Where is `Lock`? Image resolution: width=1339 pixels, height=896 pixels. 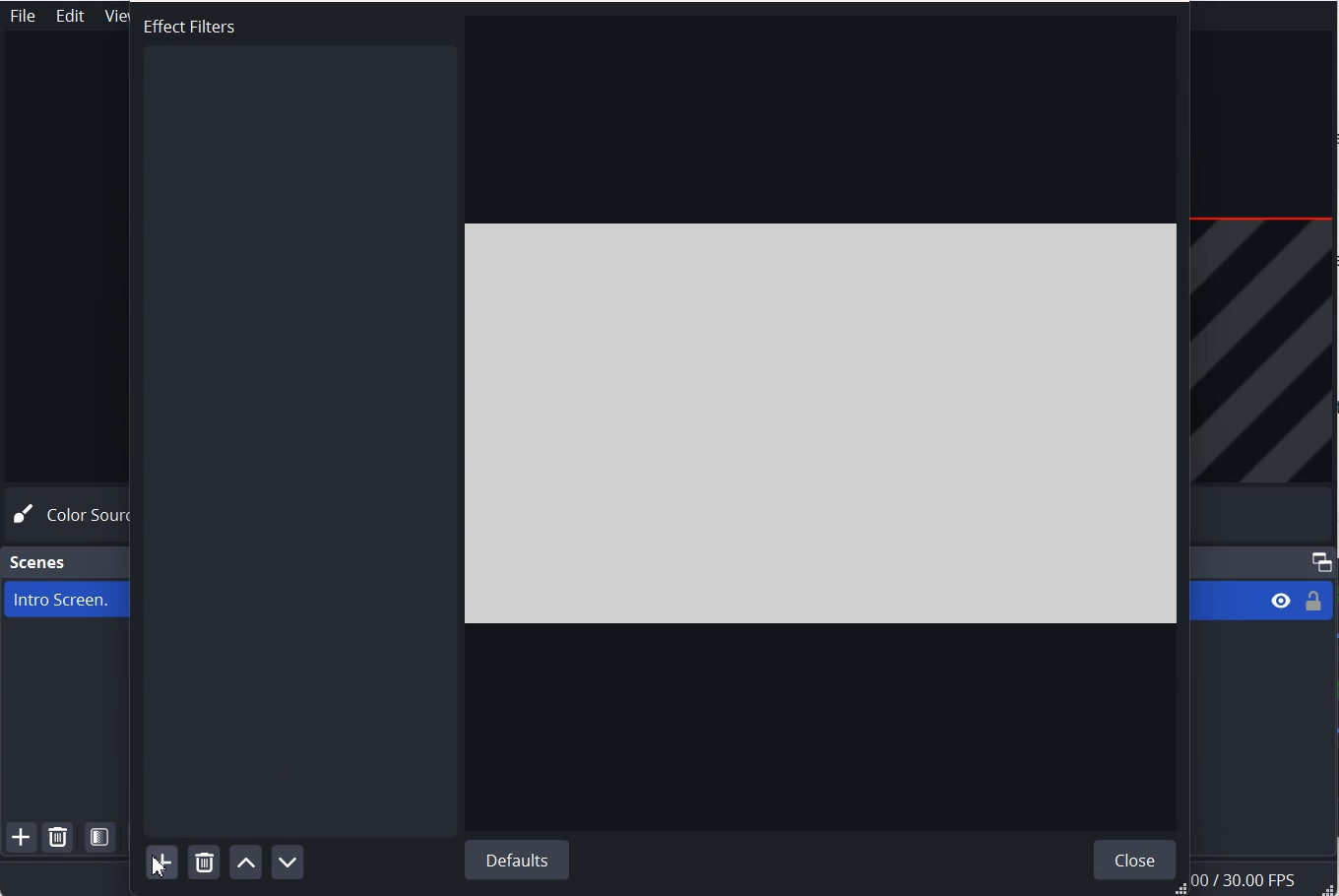 Lock is located at coordinates (1313, 601).